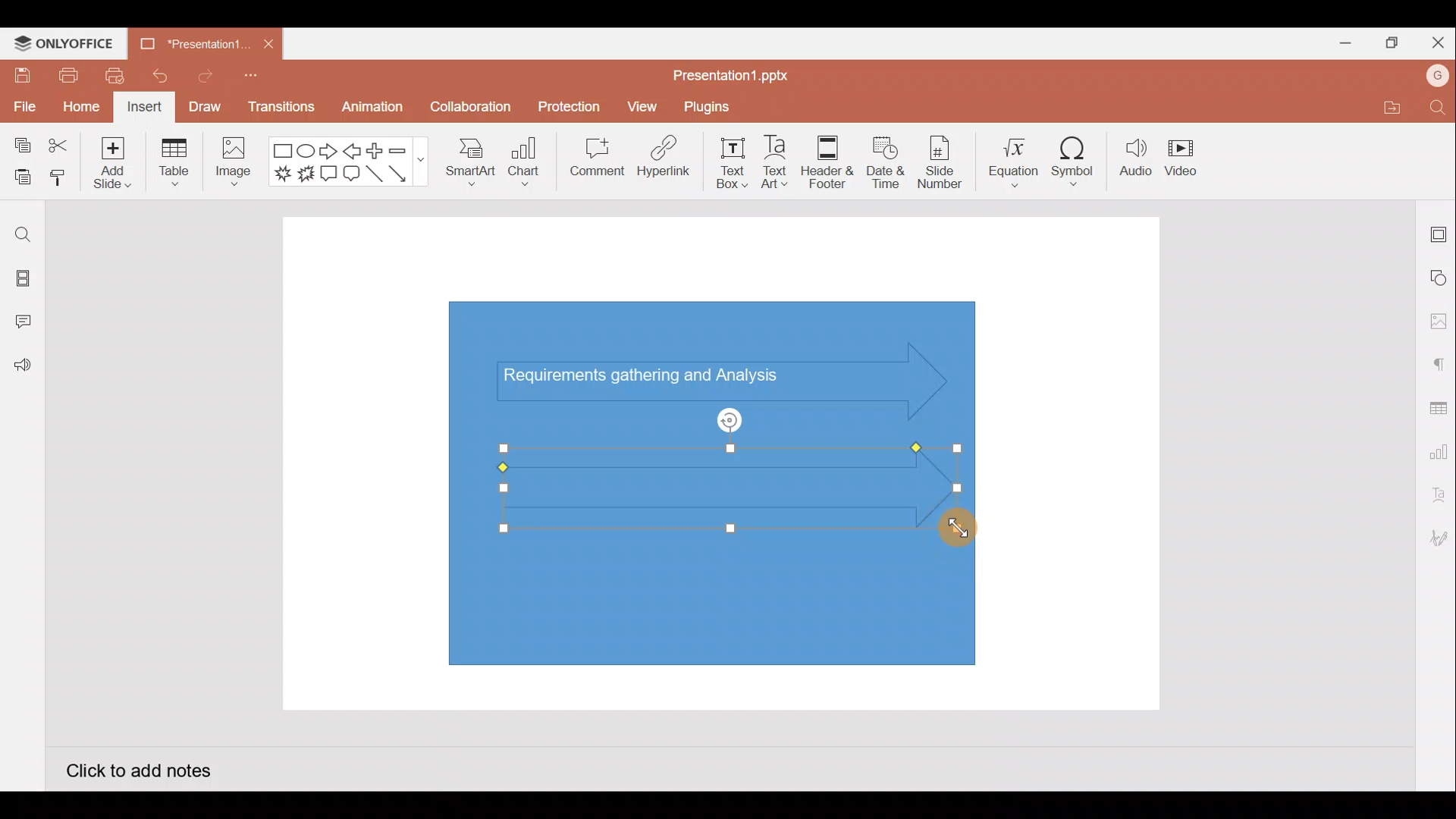 This screenshot has height=819, width=1456. I want to click on Collaboration, so click(469, 113).